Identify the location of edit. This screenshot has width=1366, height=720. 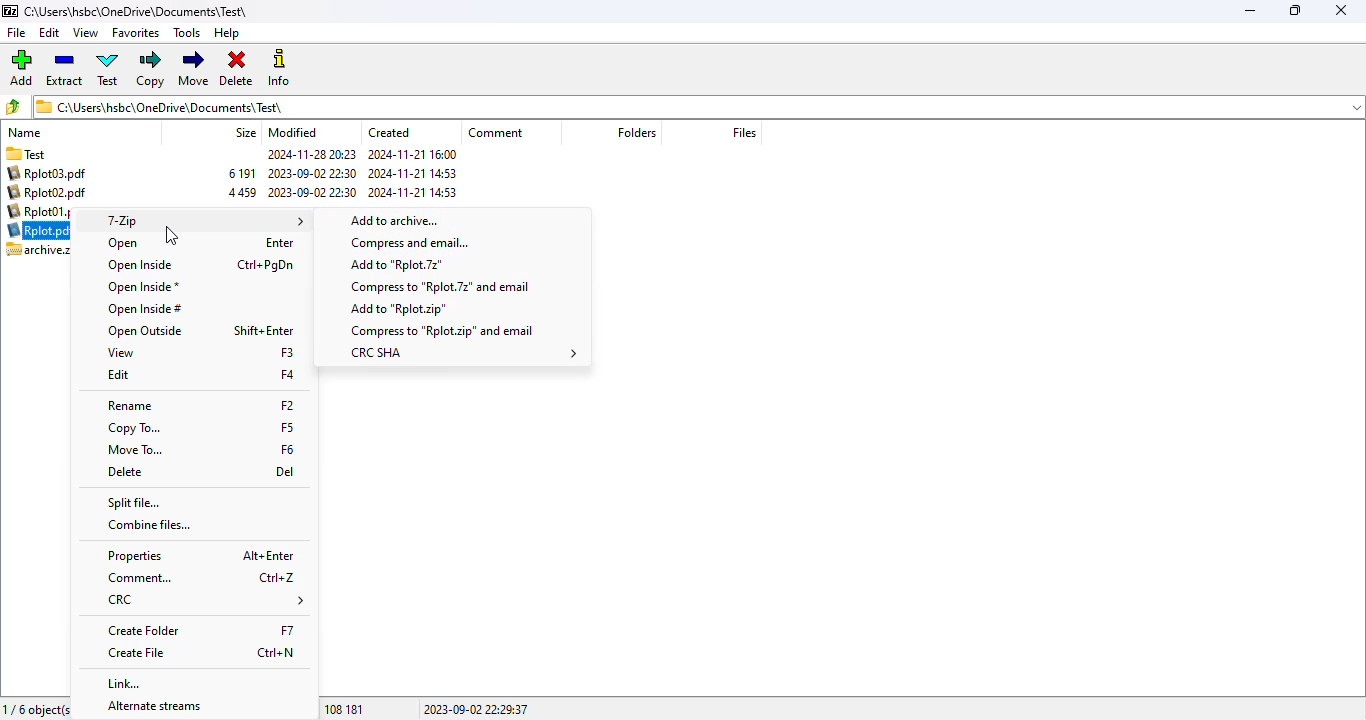
(50, 32).